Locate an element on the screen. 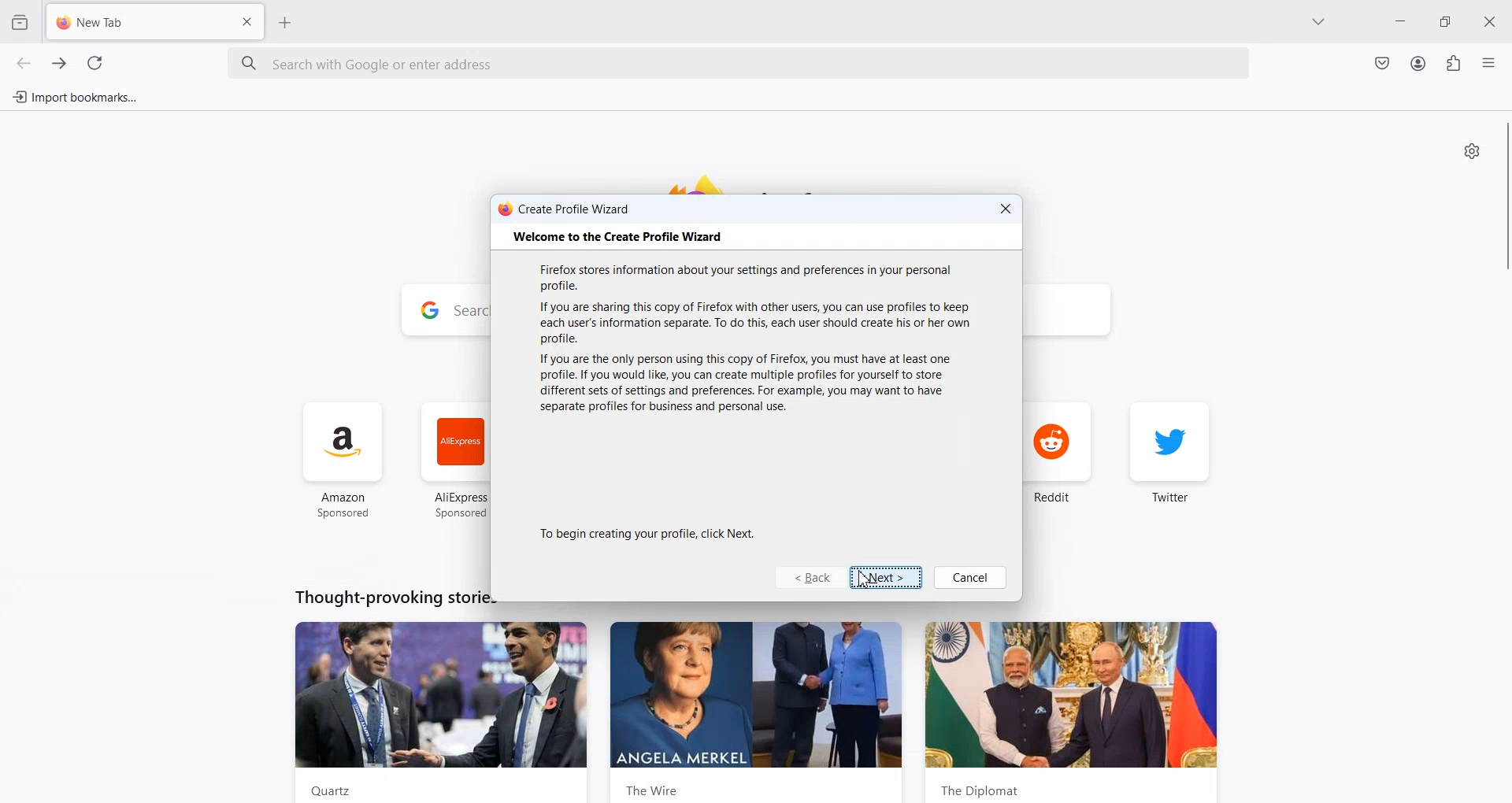 This screenshot has height=803, width=1512. Next is located at coordinates (884, 579).